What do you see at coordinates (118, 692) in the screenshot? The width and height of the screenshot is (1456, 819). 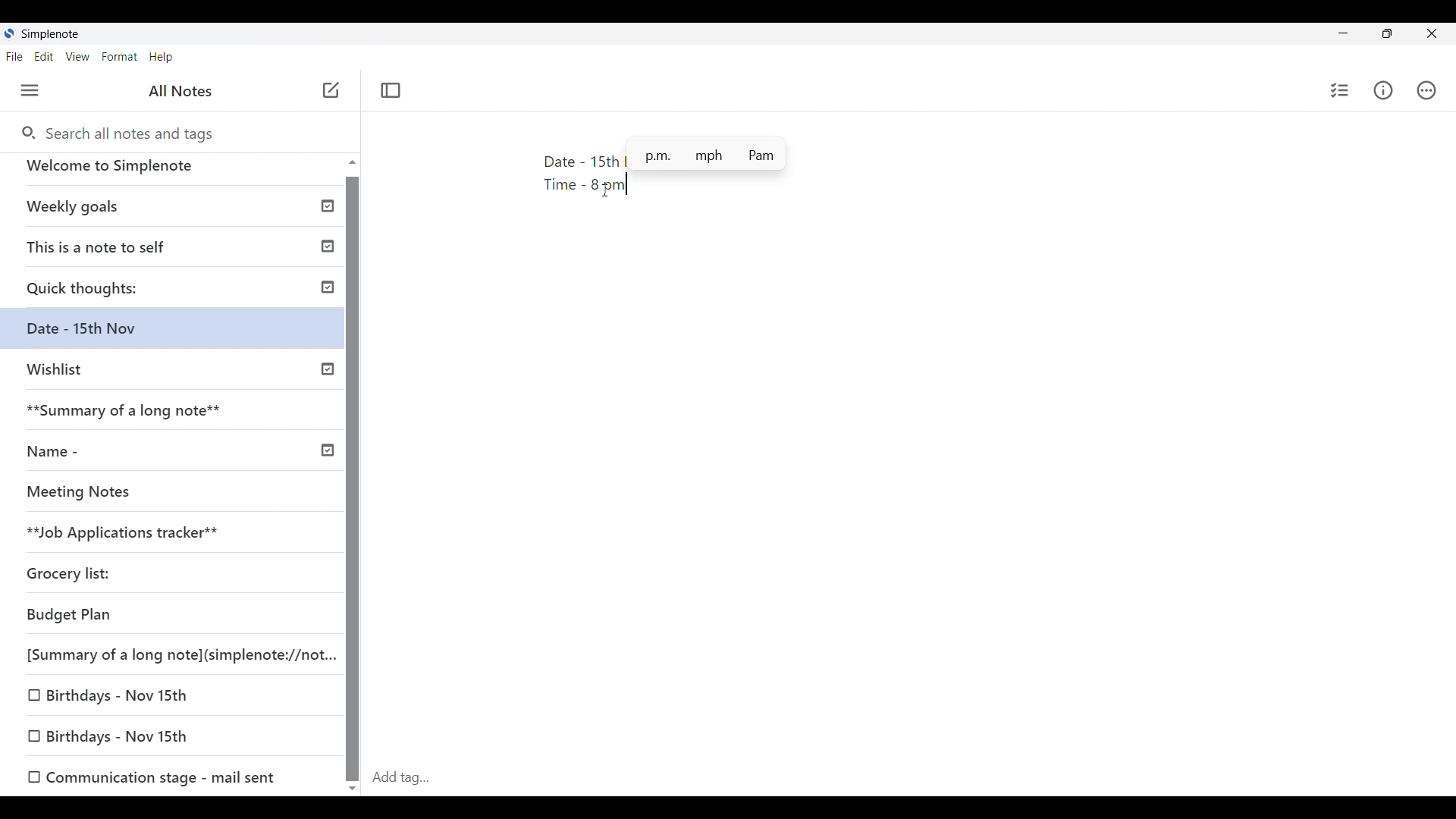 I see `Unpublished note` at bounding box center [118, 692].